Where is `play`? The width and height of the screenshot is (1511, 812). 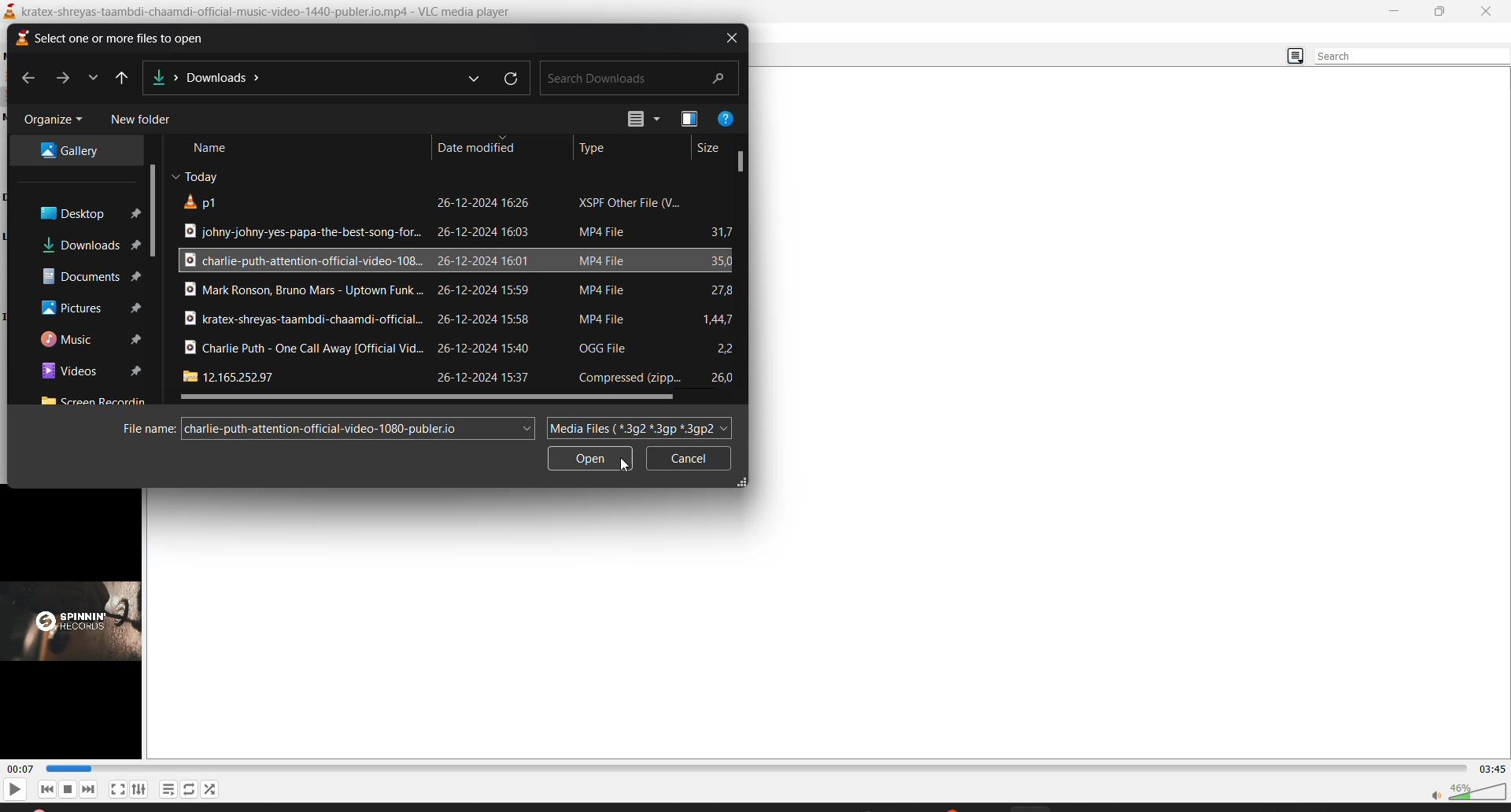 play is located at coordinates (16, 791).